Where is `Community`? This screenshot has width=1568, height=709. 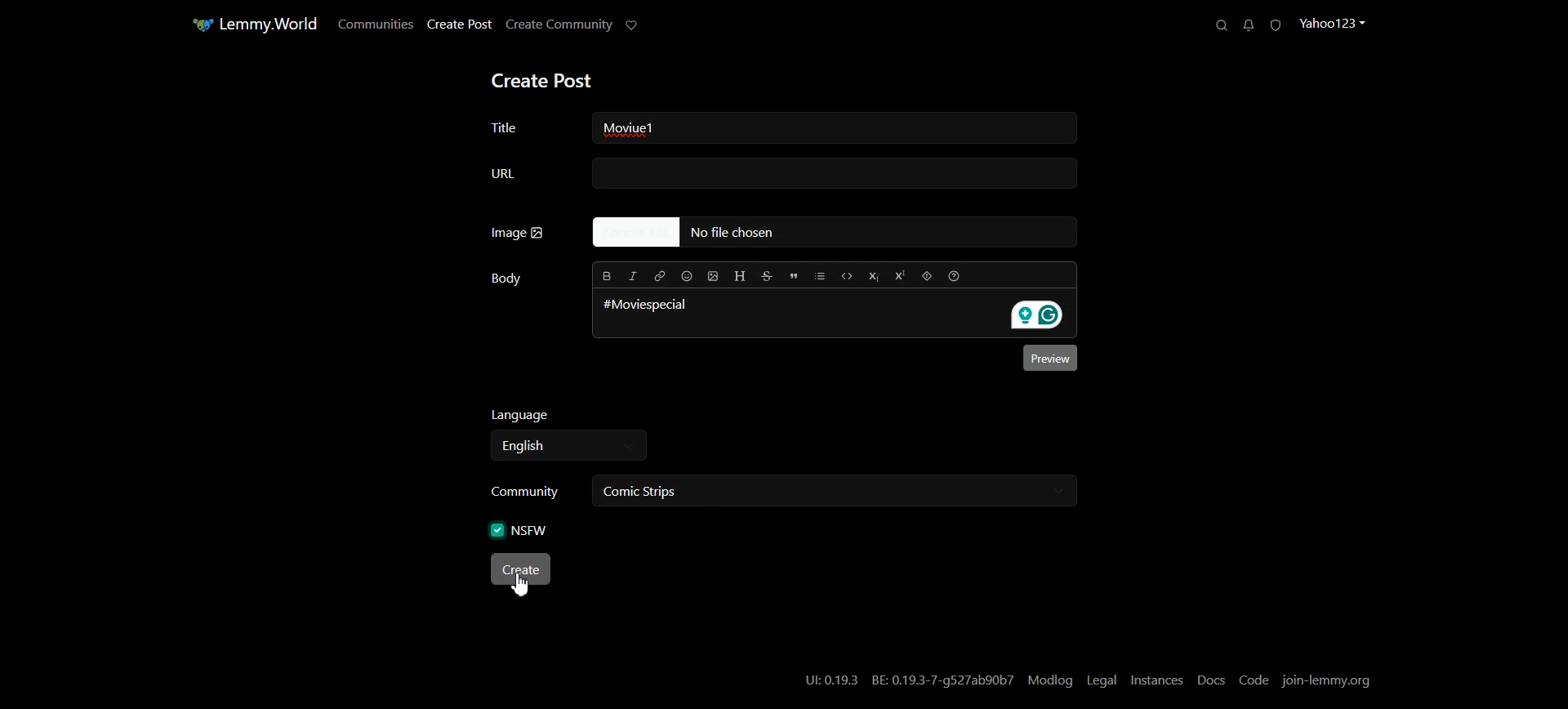
Community is located at coordinates (522, 493).